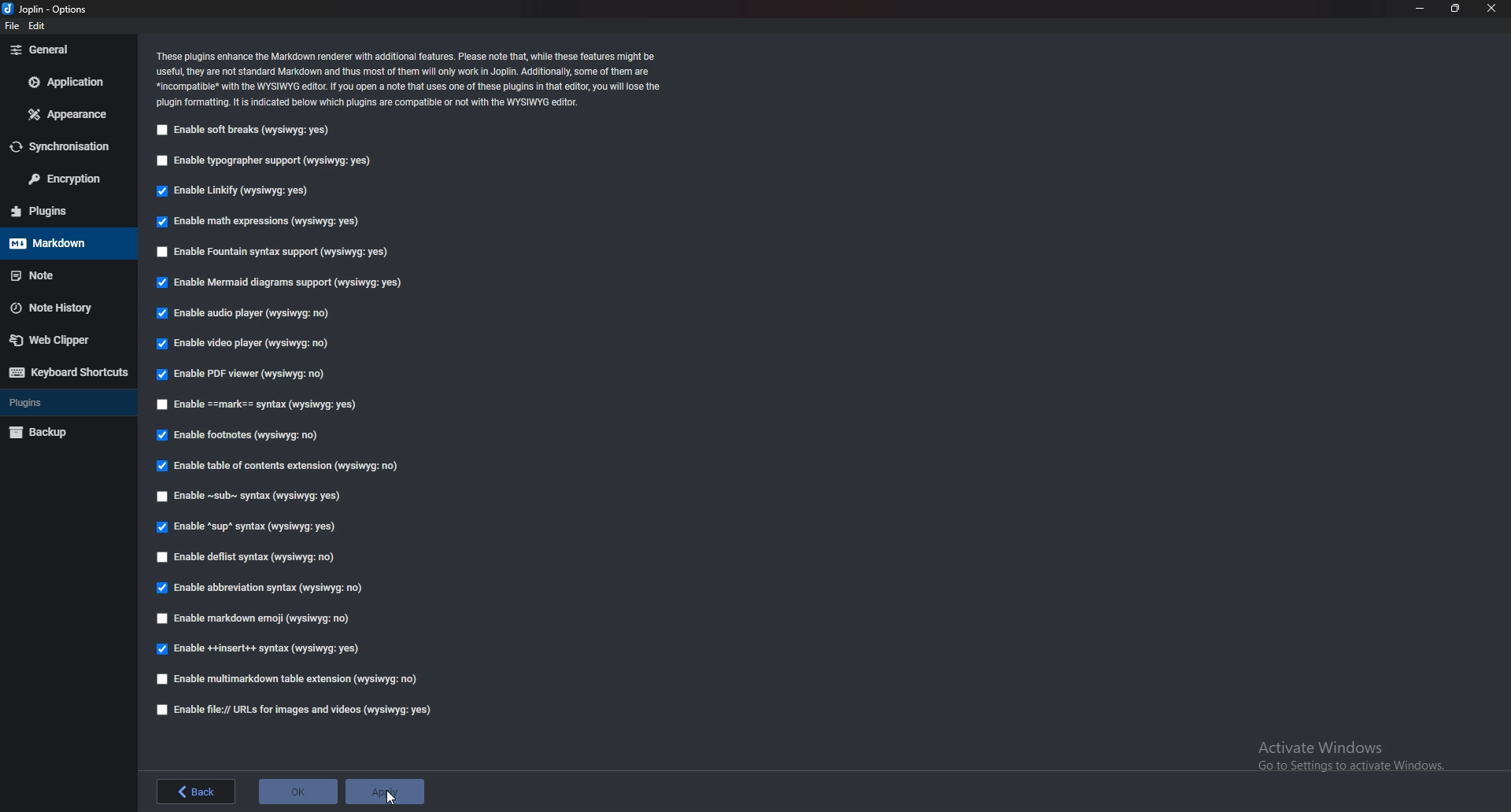 This screenshot has height=812, width=1511. What do you see at coordinates (67, 147) in the screenshot?
I see `Synchronization` at bounding box center [67, 147].